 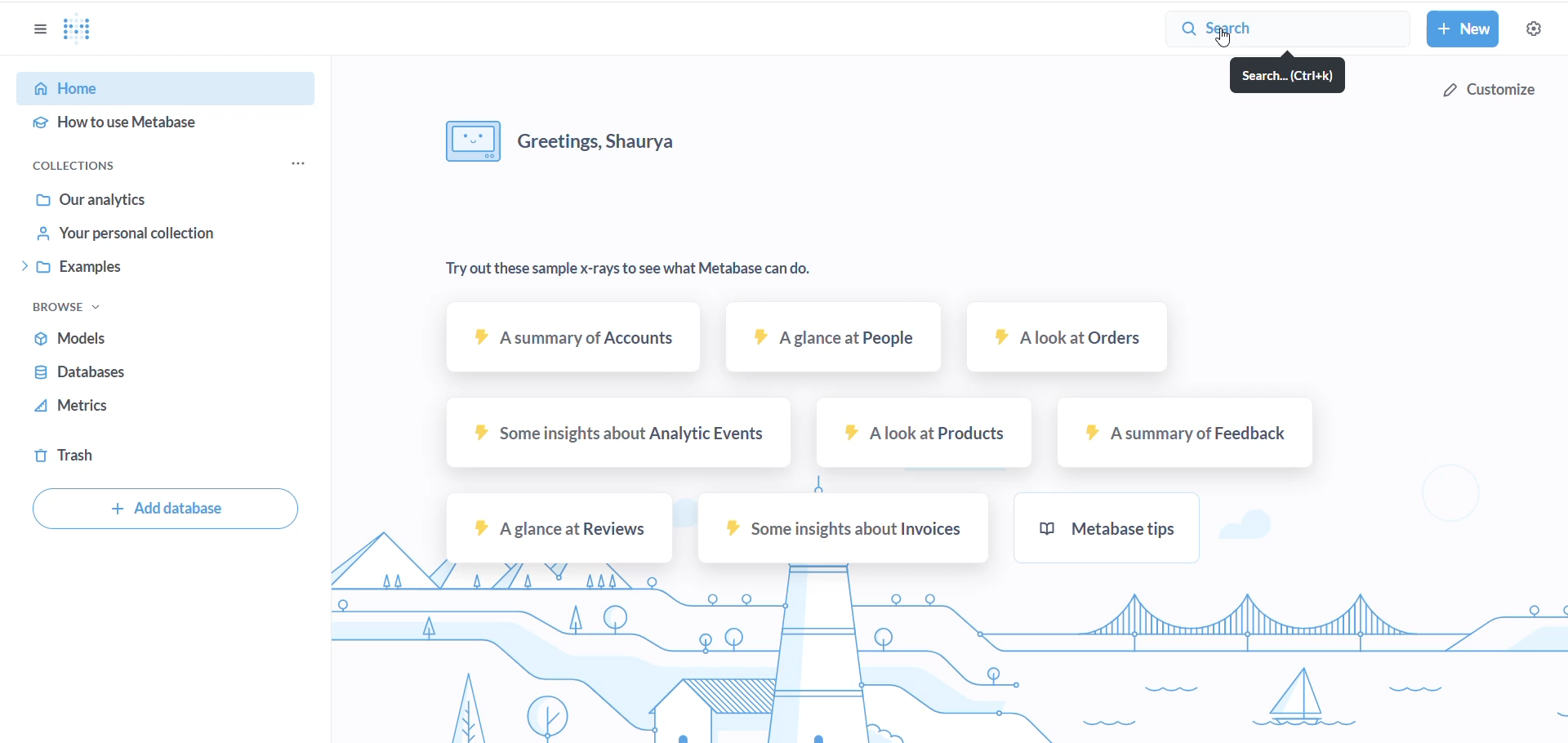 I want to click on Search...(Ctrl+k), so click(x=1292, y=77).